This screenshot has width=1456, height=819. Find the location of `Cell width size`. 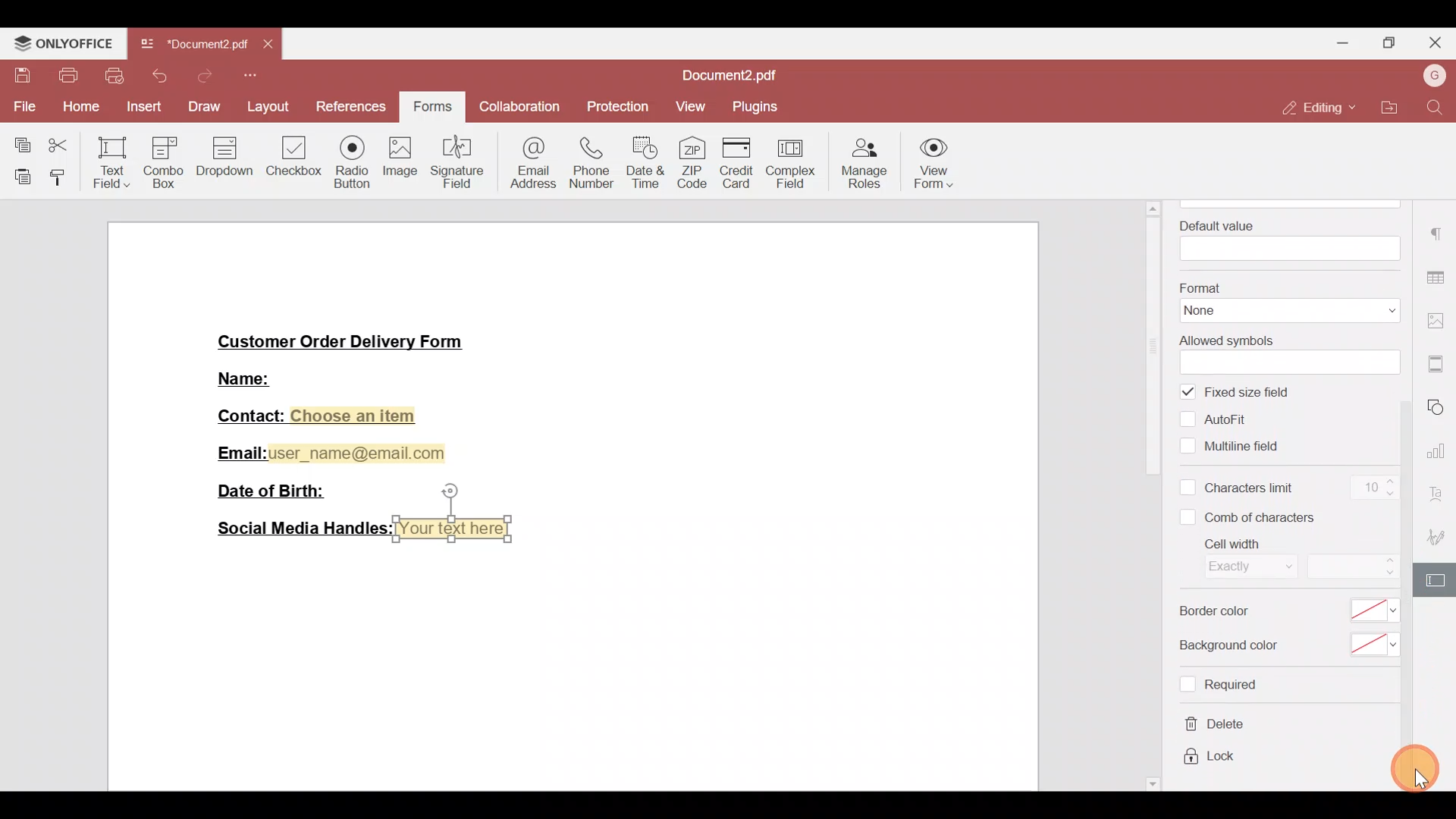

Cell width size is located at coordinates (1351, 567).